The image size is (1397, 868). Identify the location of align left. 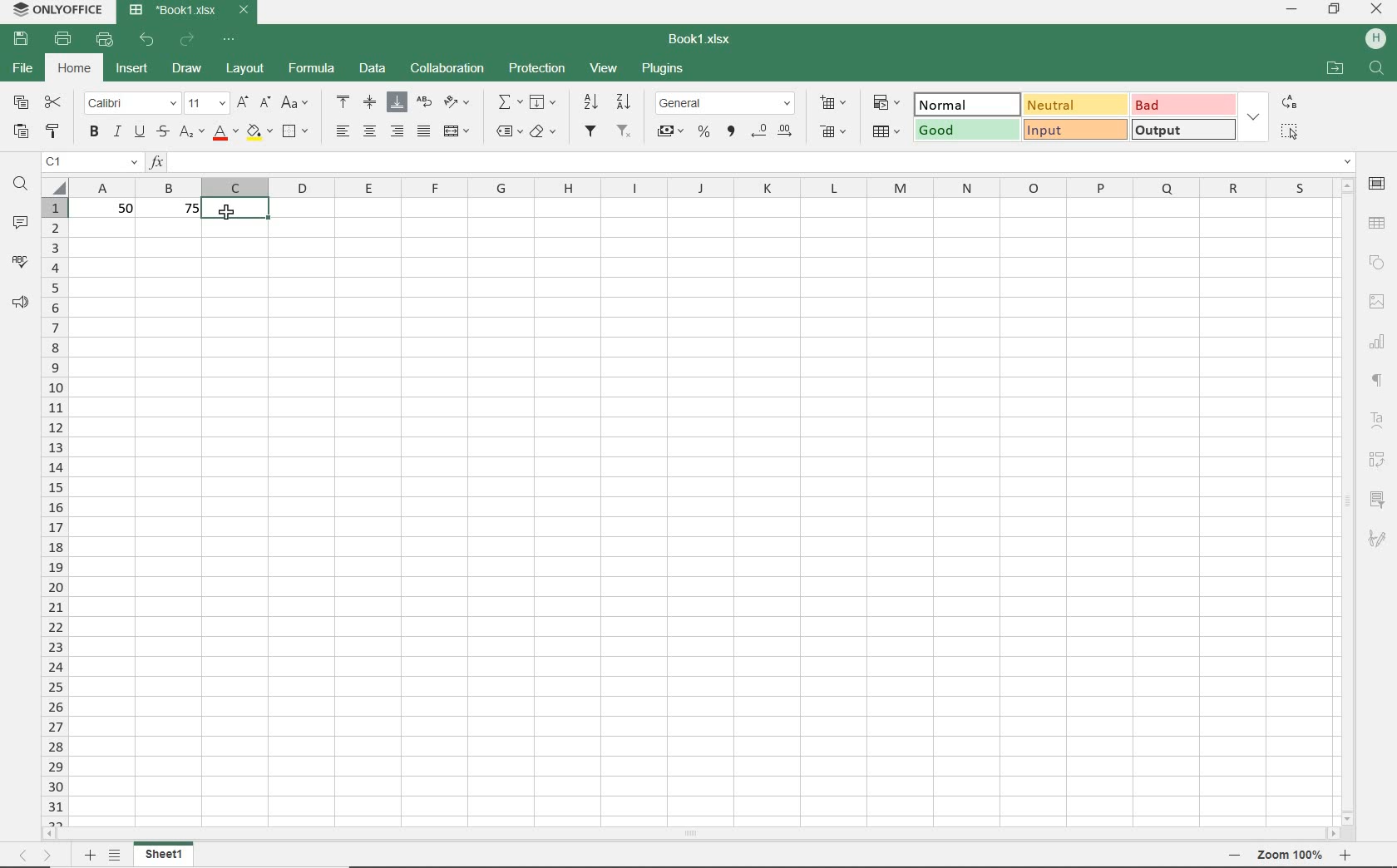
(342, 131).